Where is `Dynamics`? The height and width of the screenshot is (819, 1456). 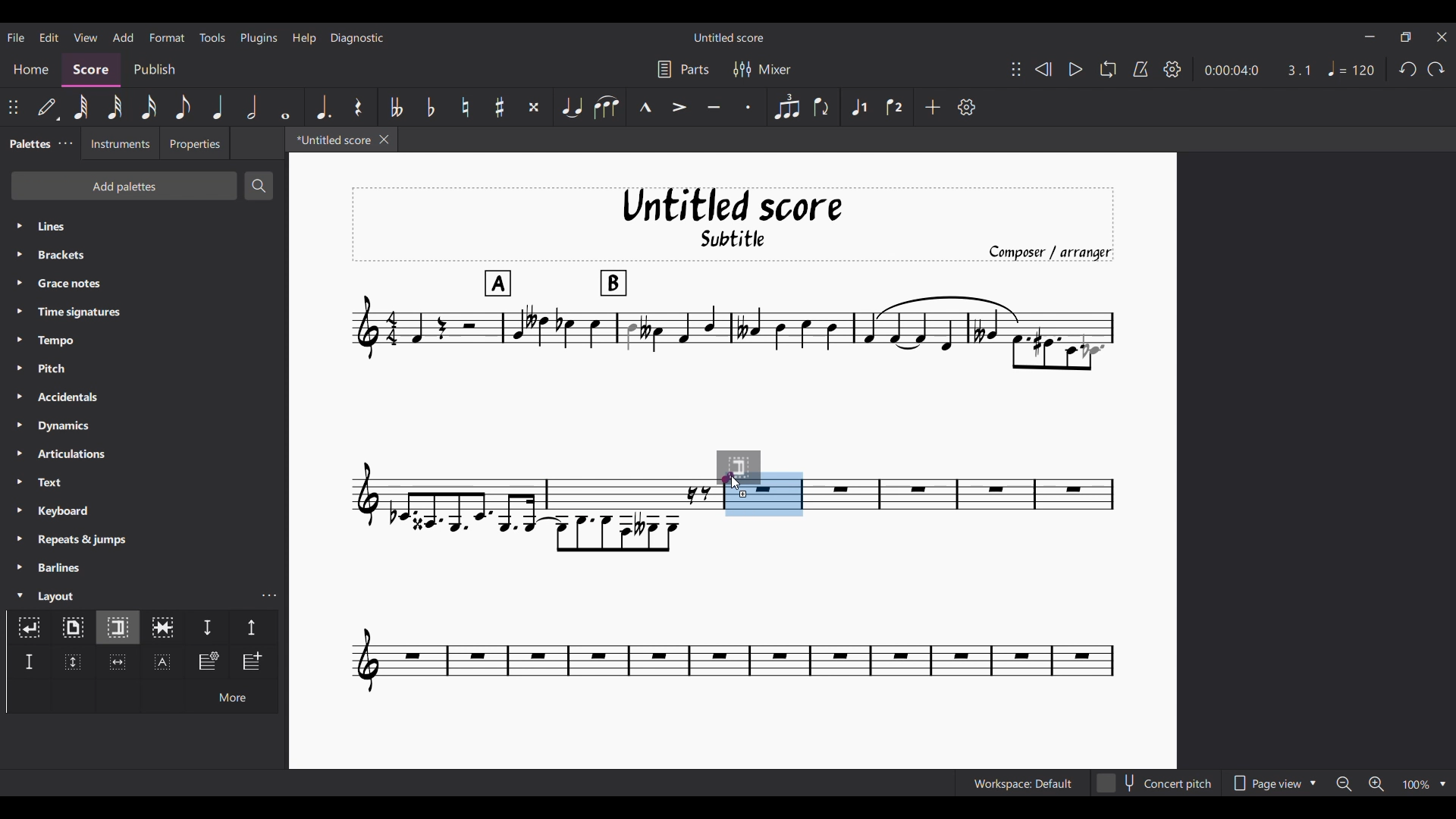
Dynamics is located at coordinates (144, 426).